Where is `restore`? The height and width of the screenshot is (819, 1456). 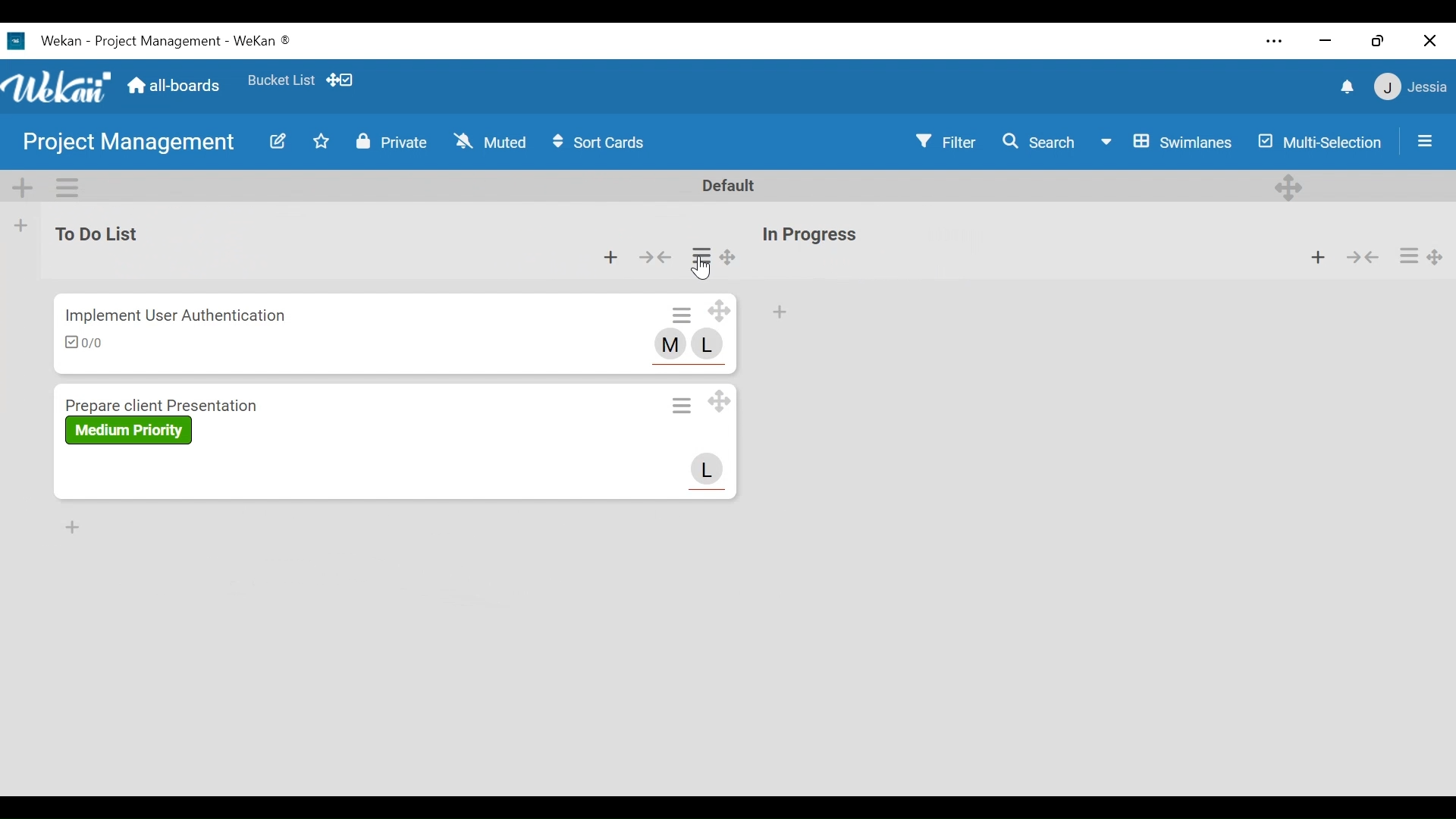
restore is located at coordinates (1377, 41).